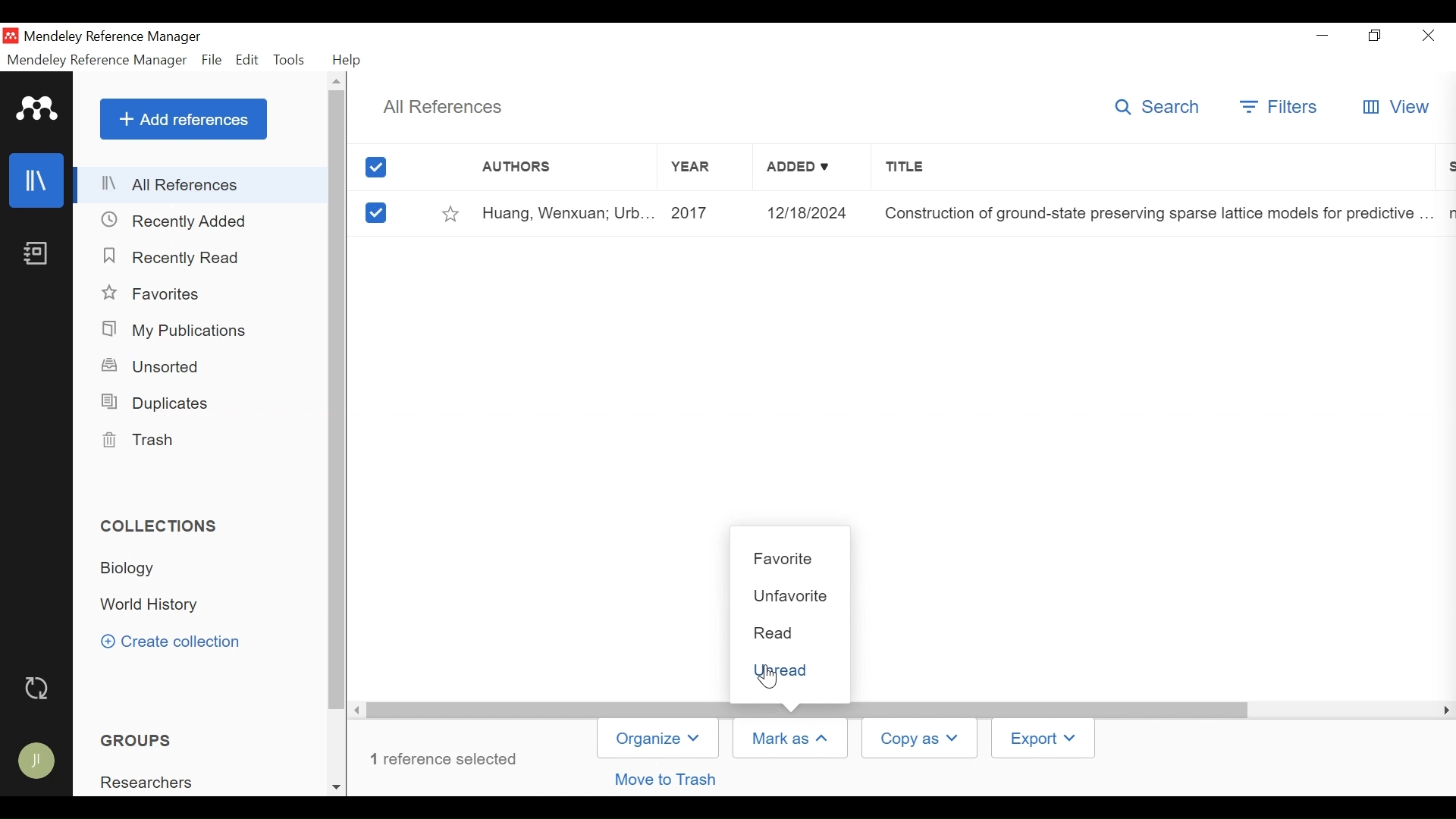 The height and width of the screenshot is (819, 1456). I want to click on Move to trash, so click(670, 780).